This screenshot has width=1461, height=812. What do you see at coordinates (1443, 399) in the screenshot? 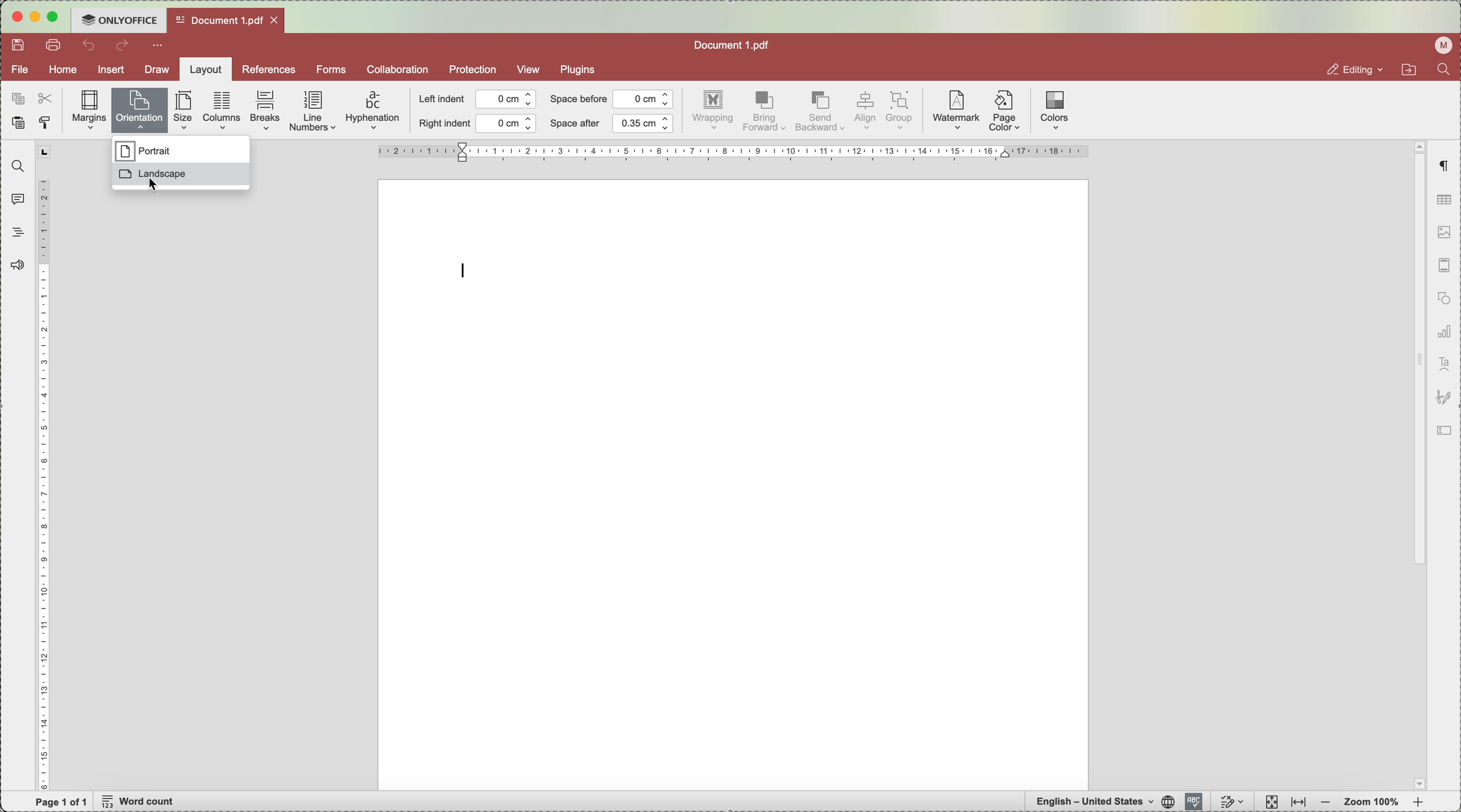
I see `icon` at bounding box center [1443, 399].